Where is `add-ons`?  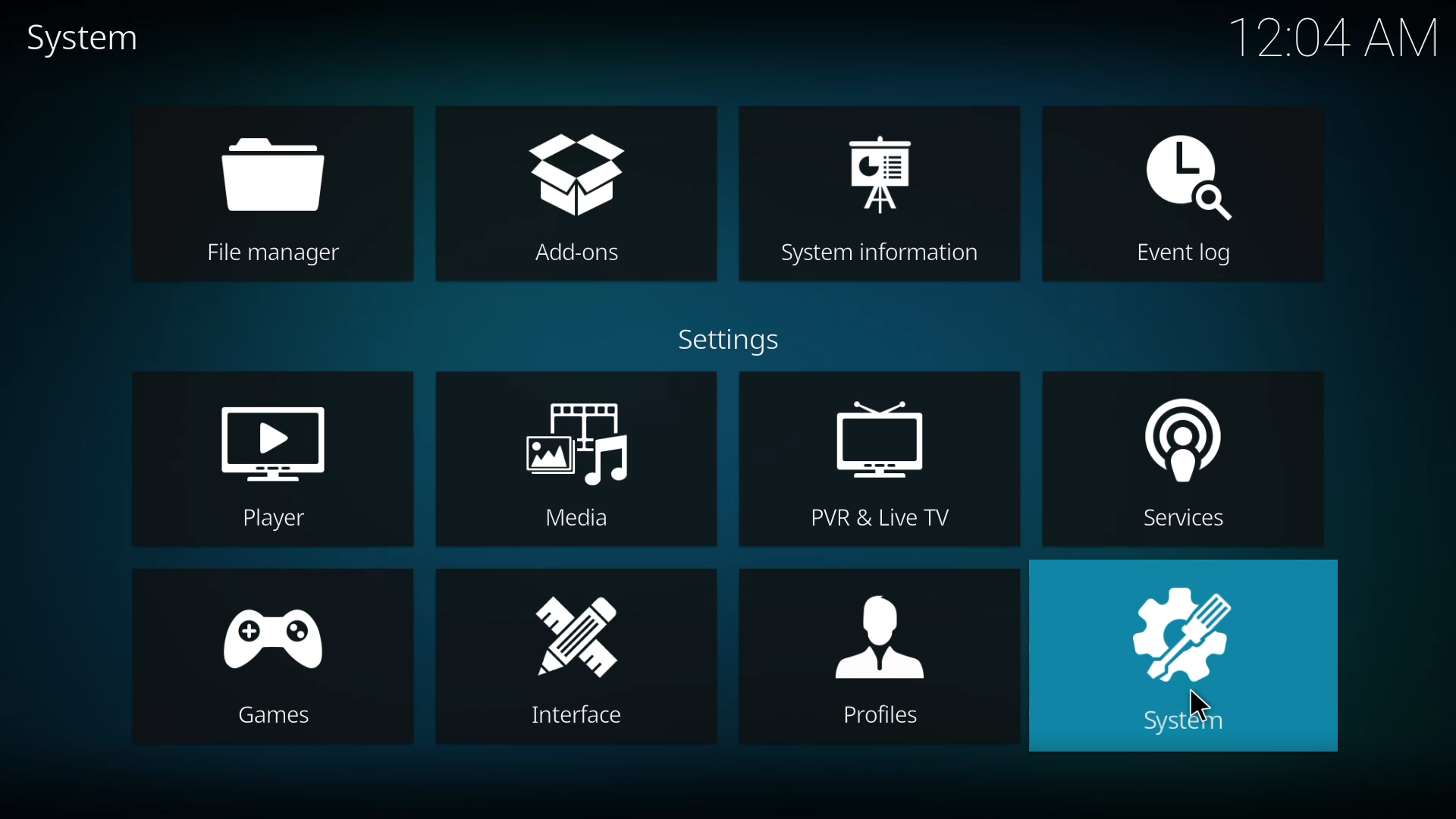
add-ons is located at coordinates (576, 193).